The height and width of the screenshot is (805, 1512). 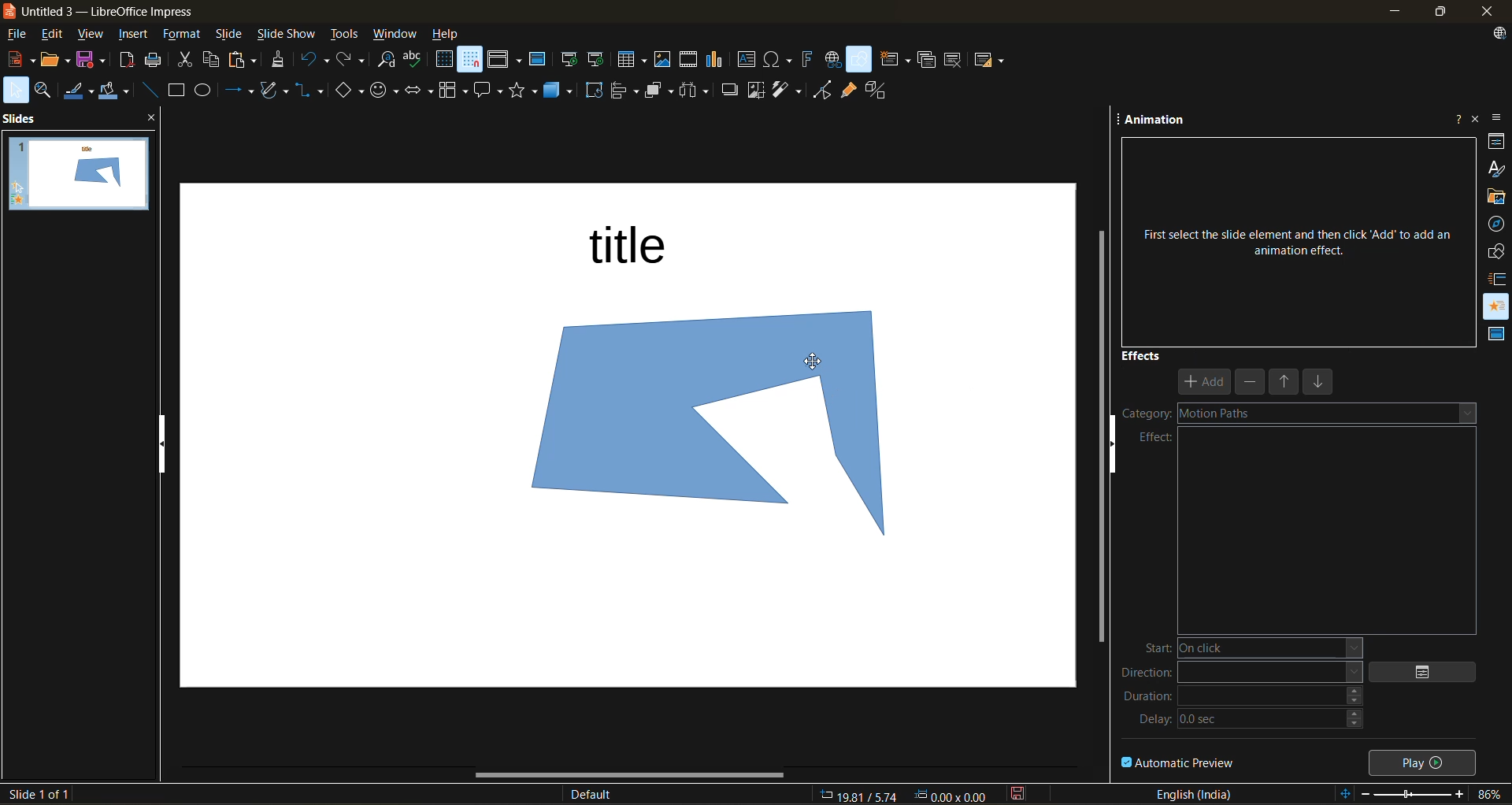 What do you see at coordinates (537, 58) in the screenshot?
I see `master slide` at bounding box center [537, 58].